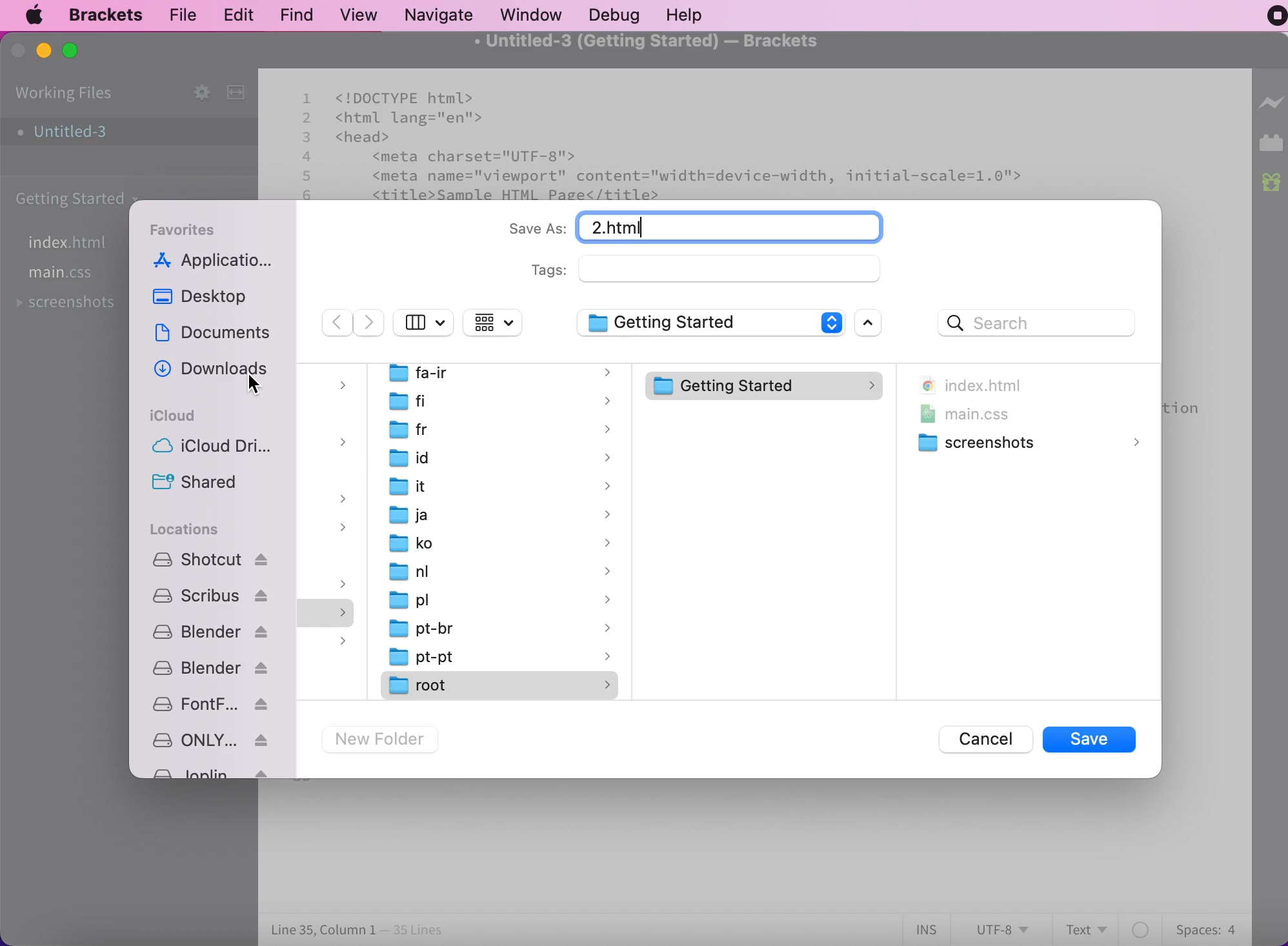 The width and height of the screenshot is (1288, 946). Describe the element at coordinates (1269, 180) in the screenshot. I see `new builds of bracket available` at that location.